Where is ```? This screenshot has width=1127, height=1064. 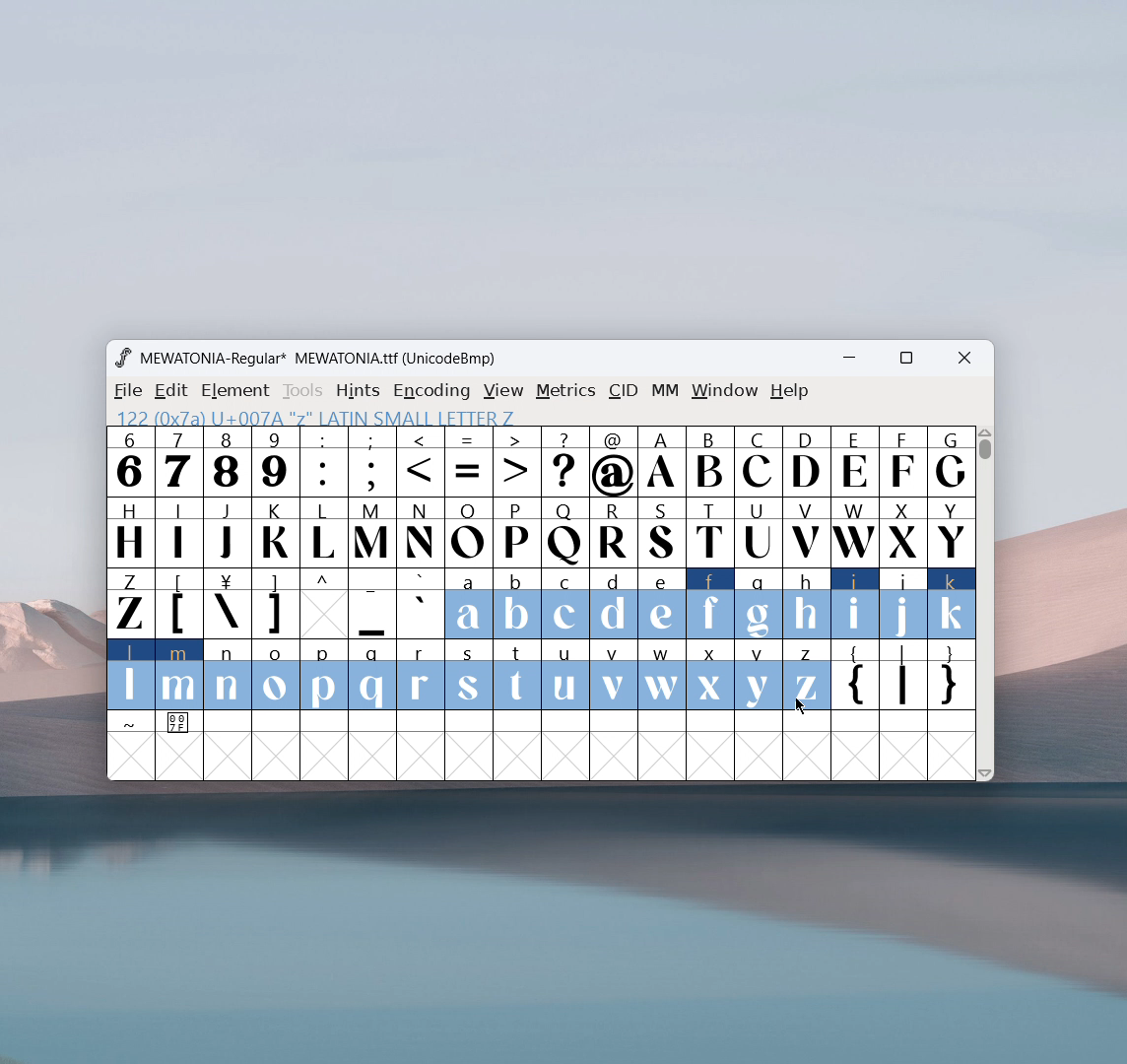 ` is located at coordinates (420, 604).